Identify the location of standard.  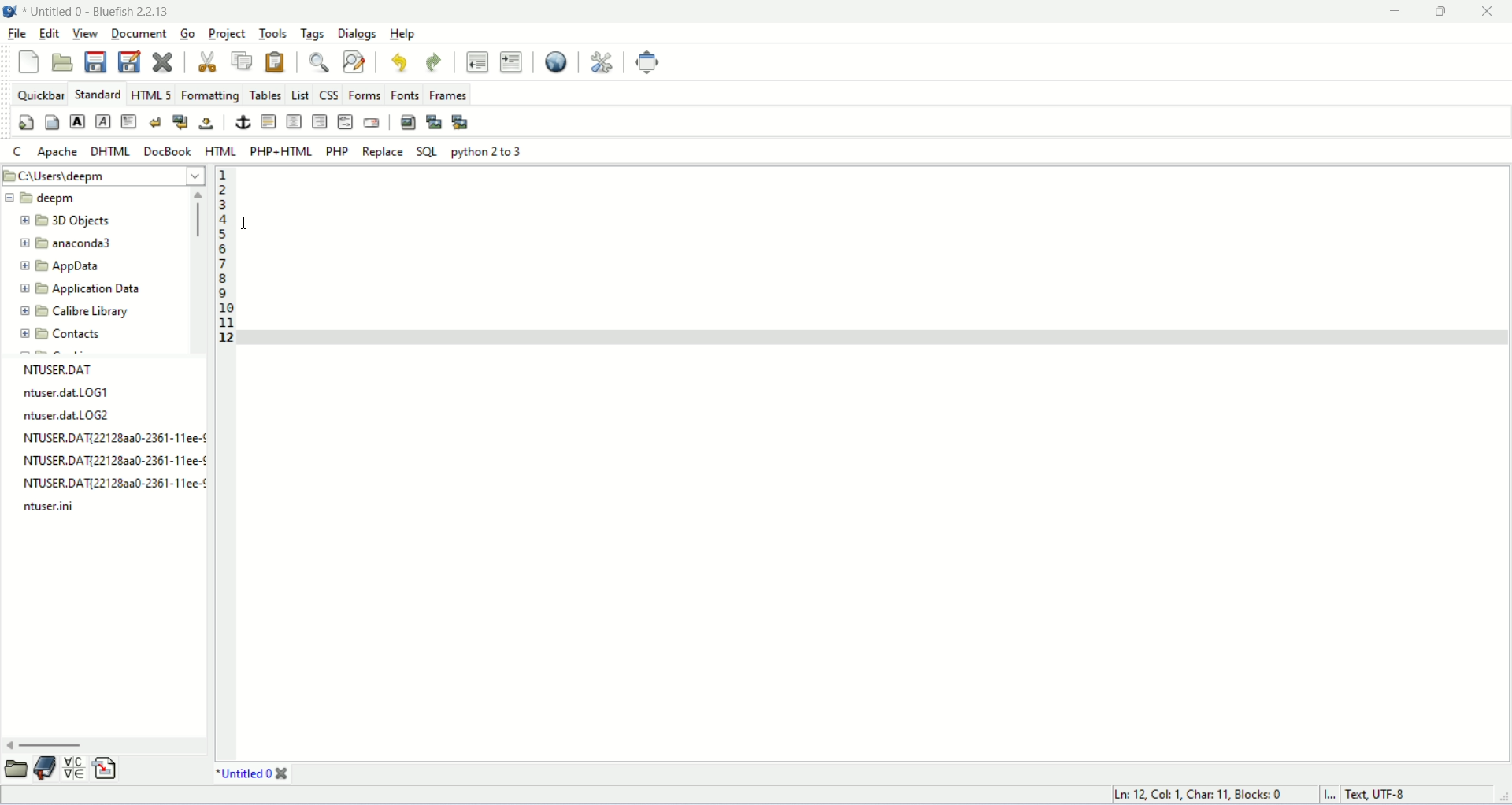
(97, 95).